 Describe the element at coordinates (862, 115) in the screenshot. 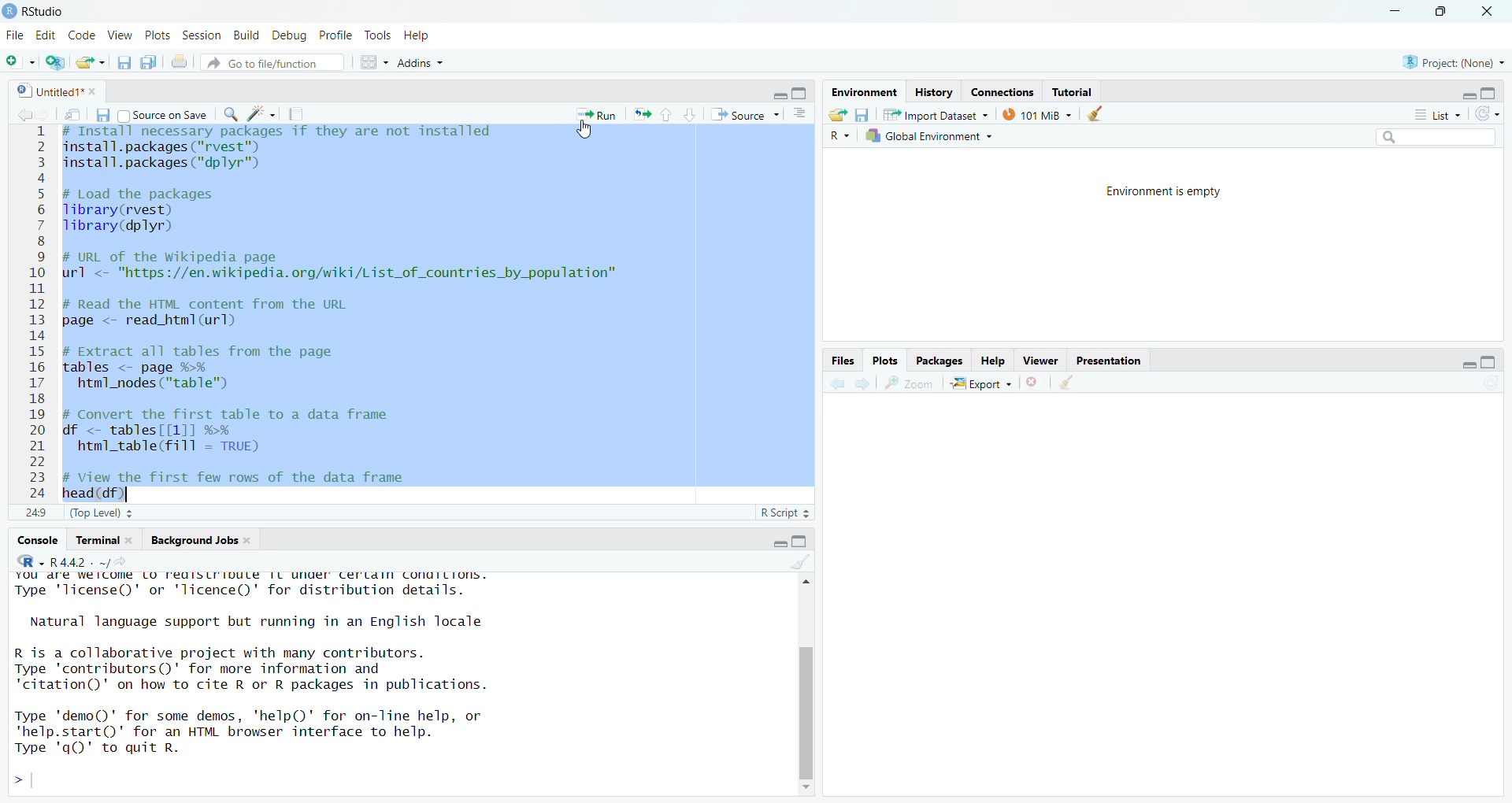

I see `save` at that location.